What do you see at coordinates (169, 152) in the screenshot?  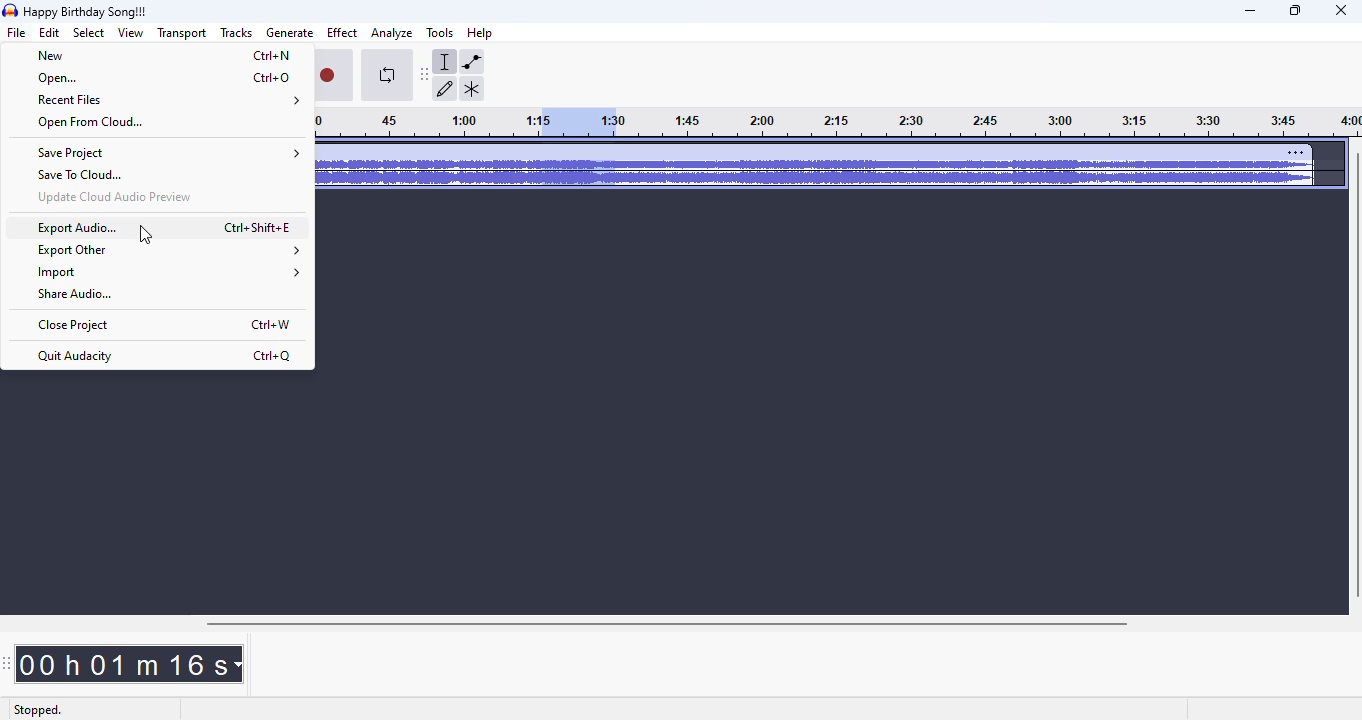 I see `save project` at bounding box center [169, 152].